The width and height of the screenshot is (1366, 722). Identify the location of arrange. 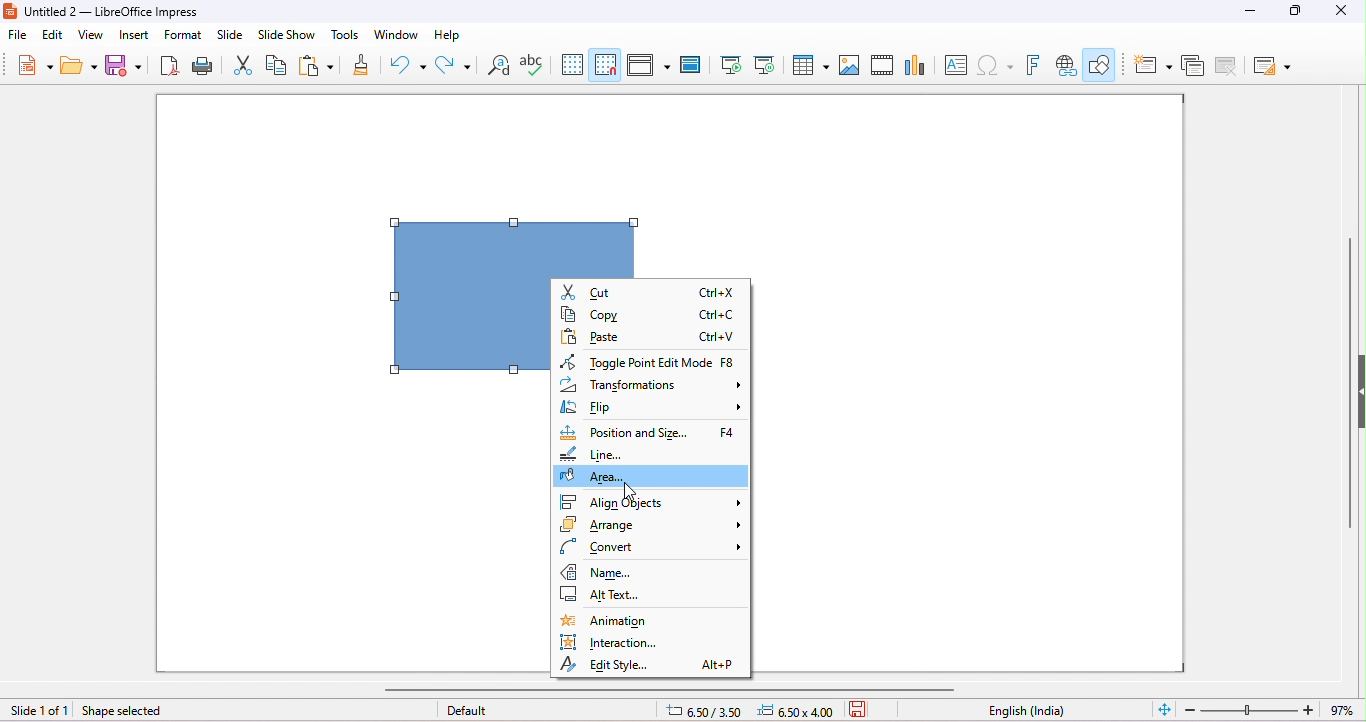
(651, 525).